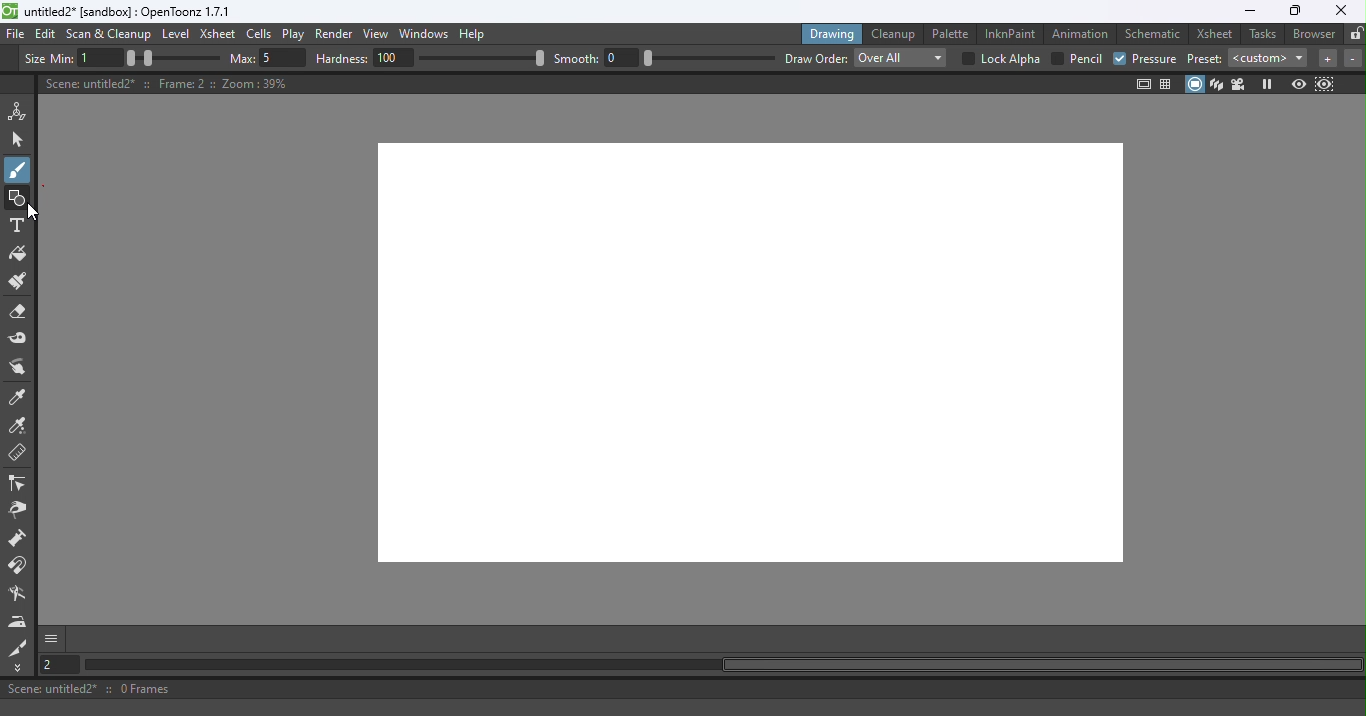  Describe the element at coordinates (169, 83) in the screenshot. I see `Canvas details` at that location.